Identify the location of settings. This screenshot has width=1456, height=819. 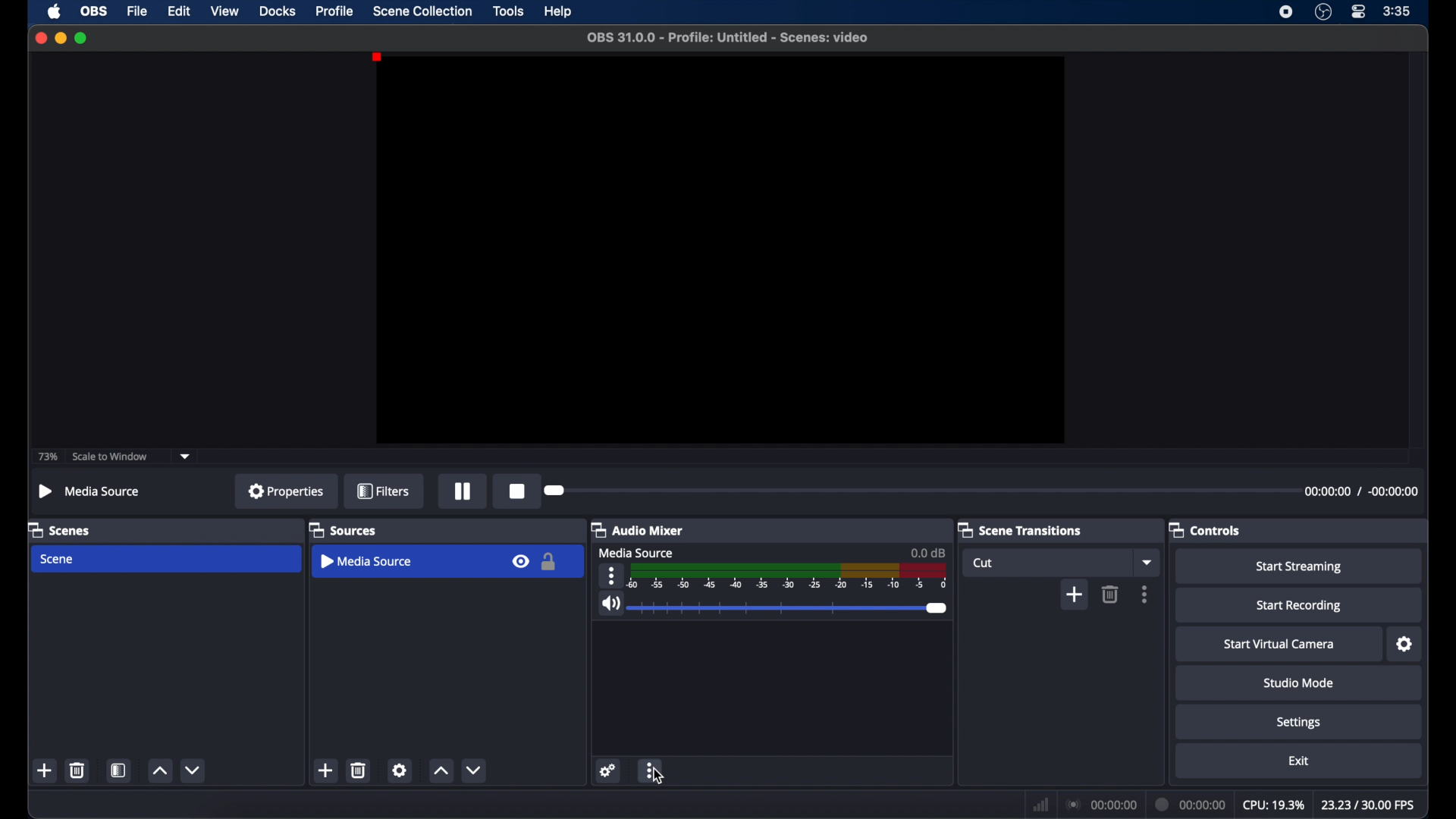
(1298, 723).